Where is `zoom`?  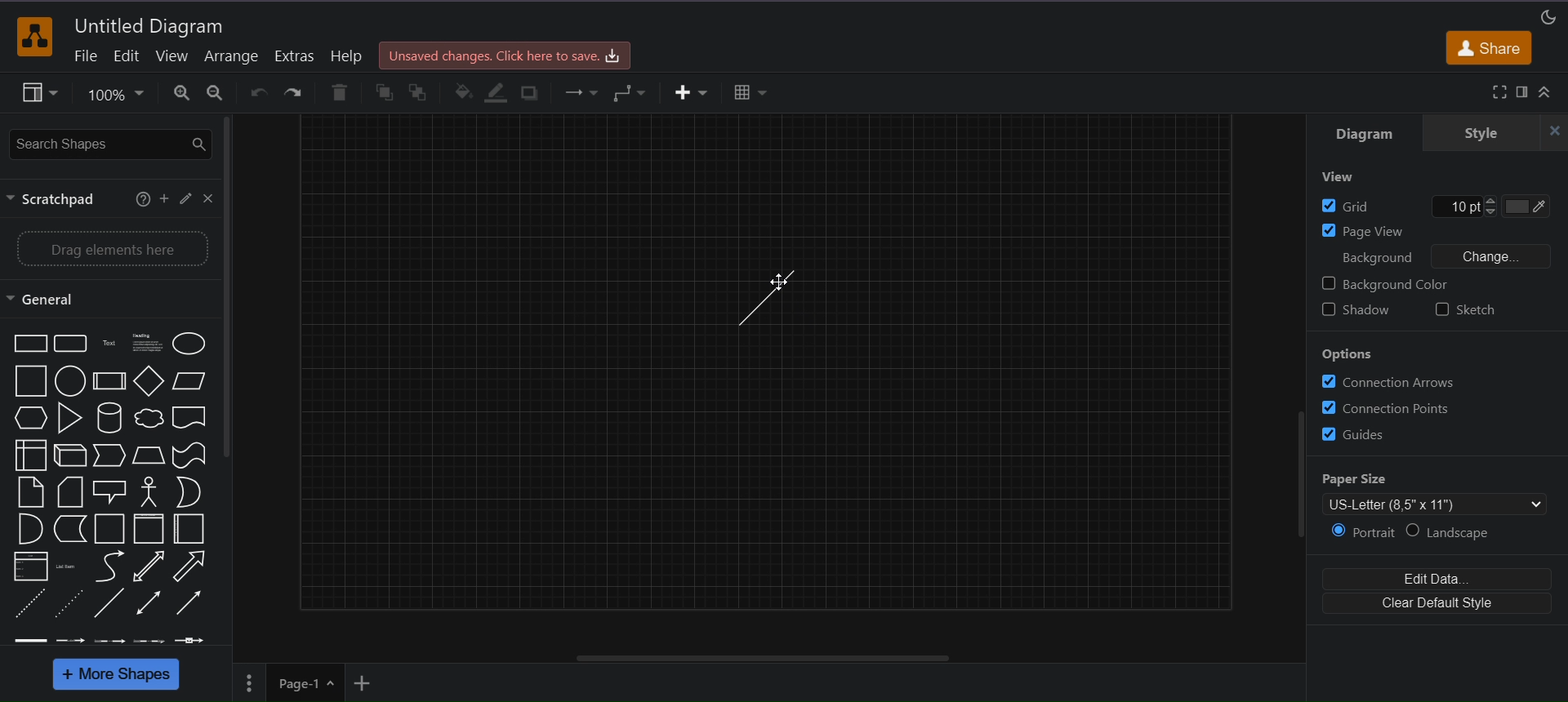
zoom is located at coordinates (116, 96).